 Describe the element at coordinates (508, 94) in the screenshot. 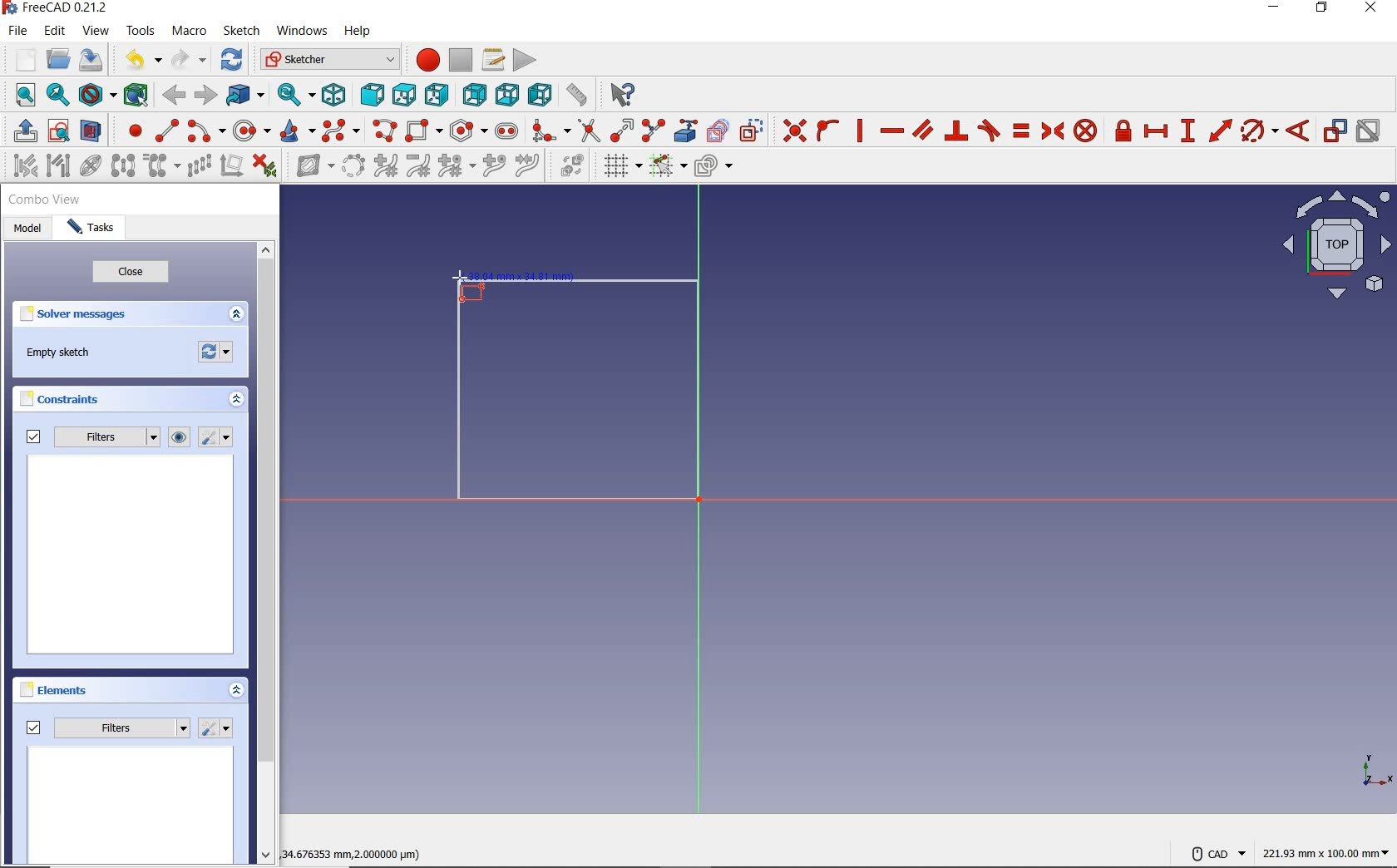

I see `bottom` at that location.